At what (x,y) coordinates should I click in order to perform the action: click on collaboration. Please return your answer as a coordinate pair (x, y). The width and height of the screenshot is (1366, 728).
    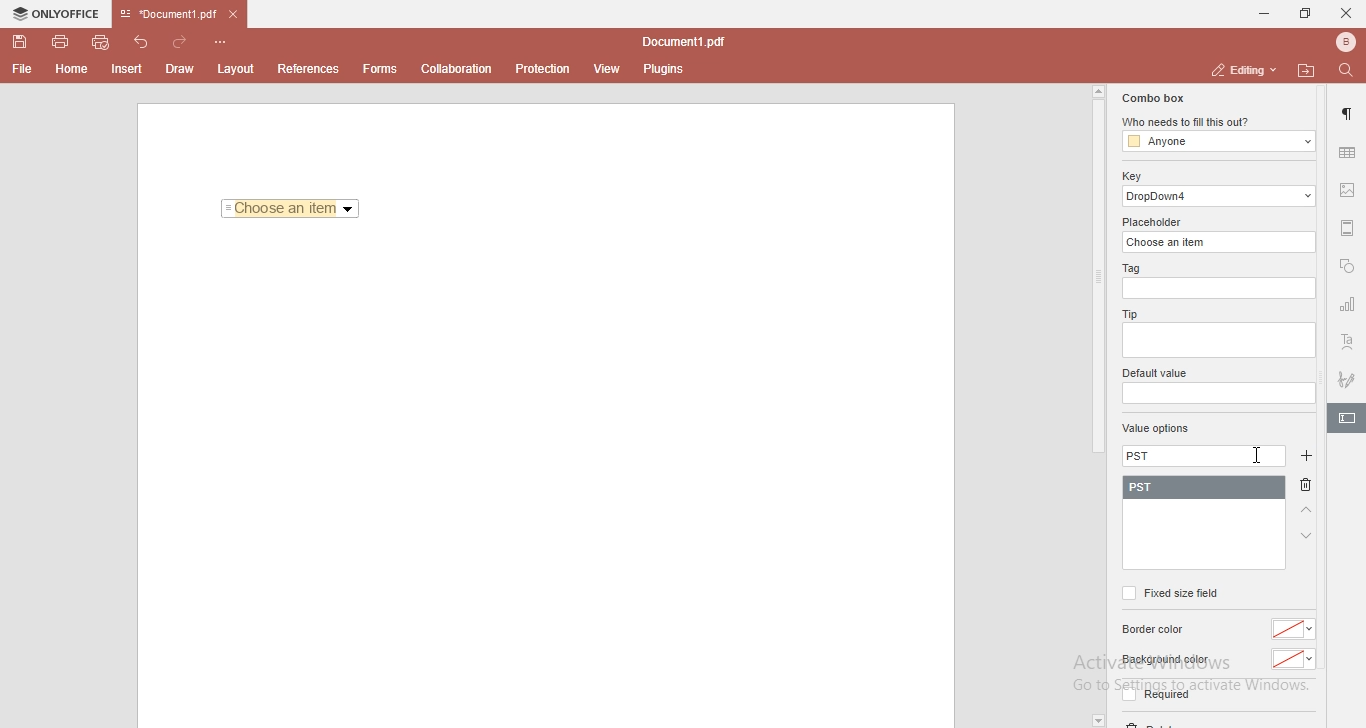
    Looking at the image, I should click on (461, 67).